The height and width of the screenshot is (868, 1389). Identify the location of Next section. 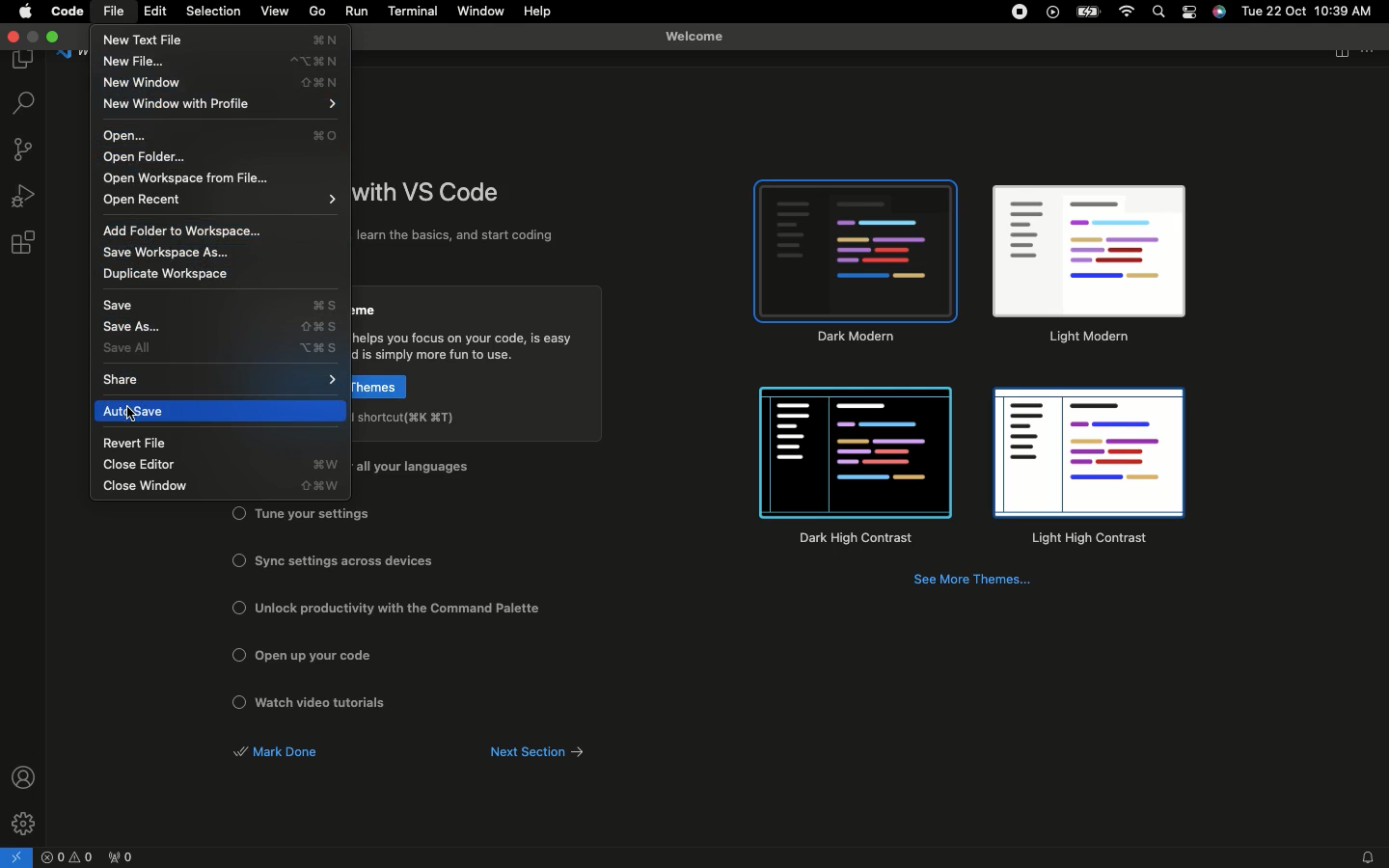
(548, 752).